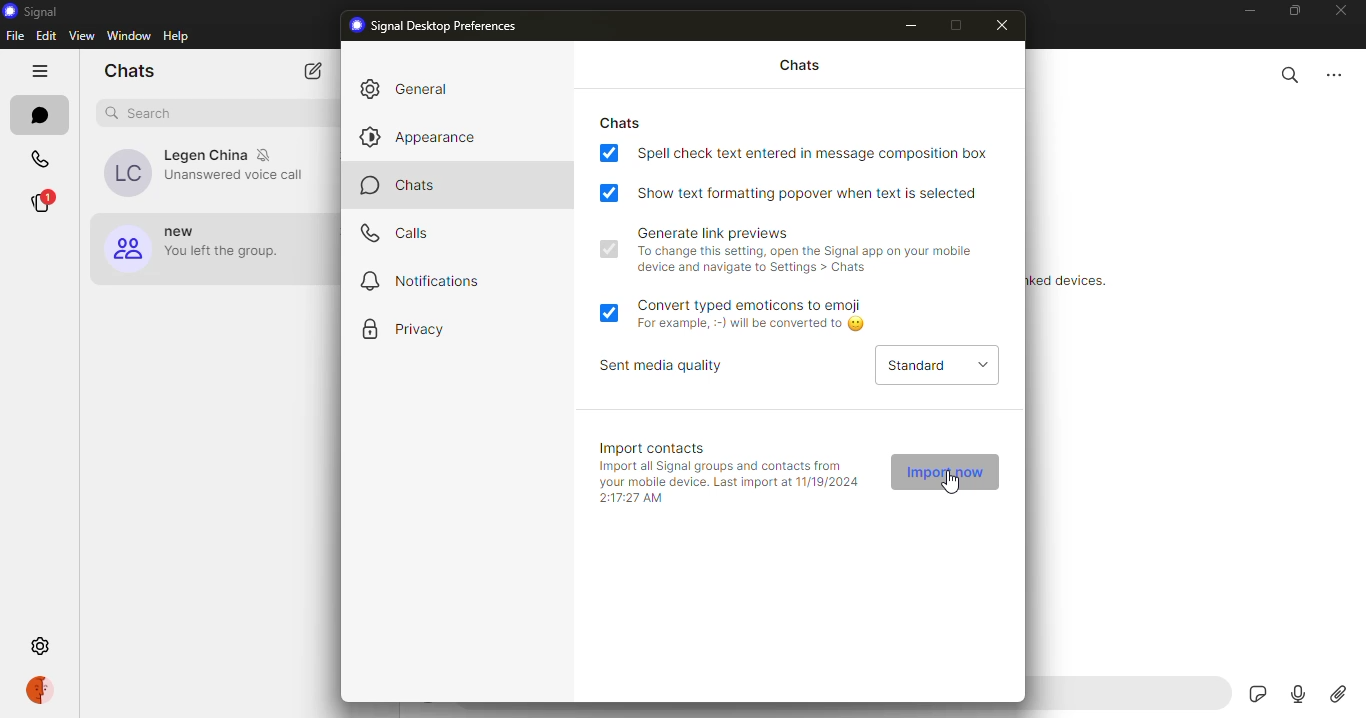  What do you see at coordinates (314, 69) in the screenshot?
I see `new chat` at bounding box center [314, 69].